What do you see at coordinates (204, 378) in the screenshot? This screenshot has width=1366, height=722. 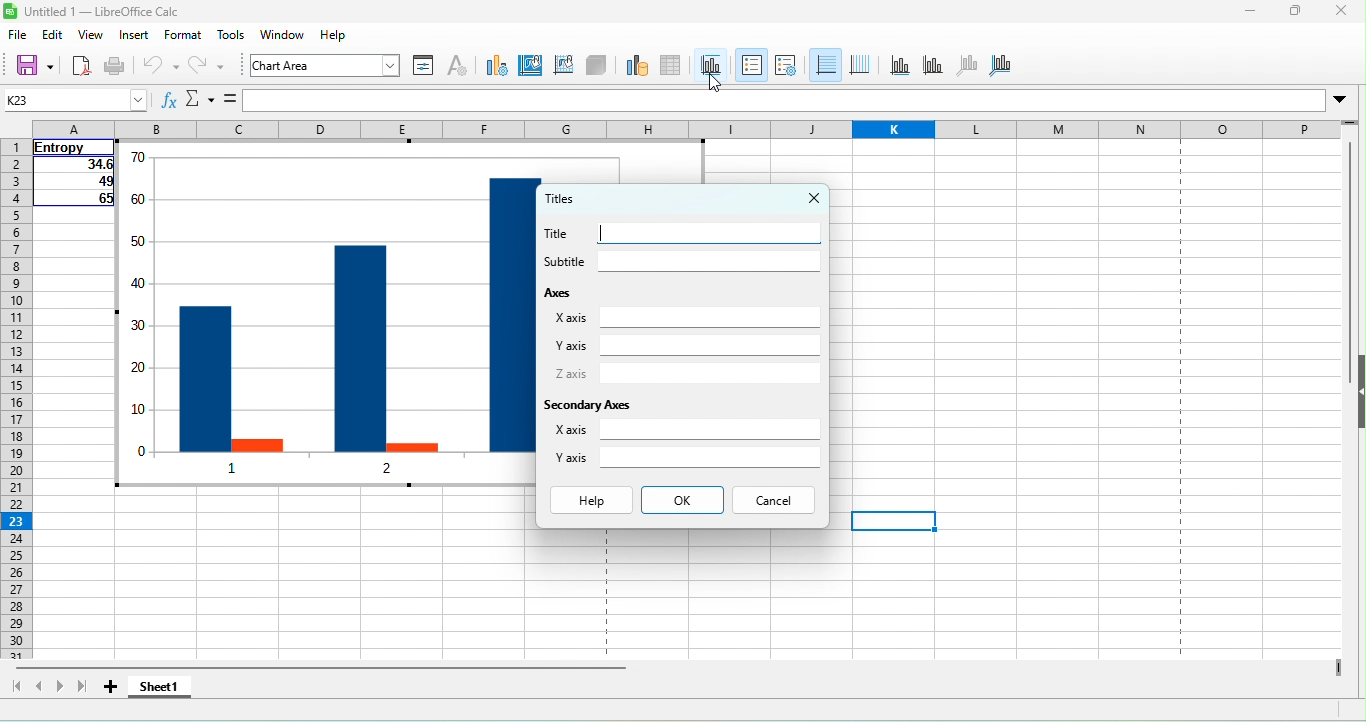 I see `entropy 1` at bounding box center [204, 378].